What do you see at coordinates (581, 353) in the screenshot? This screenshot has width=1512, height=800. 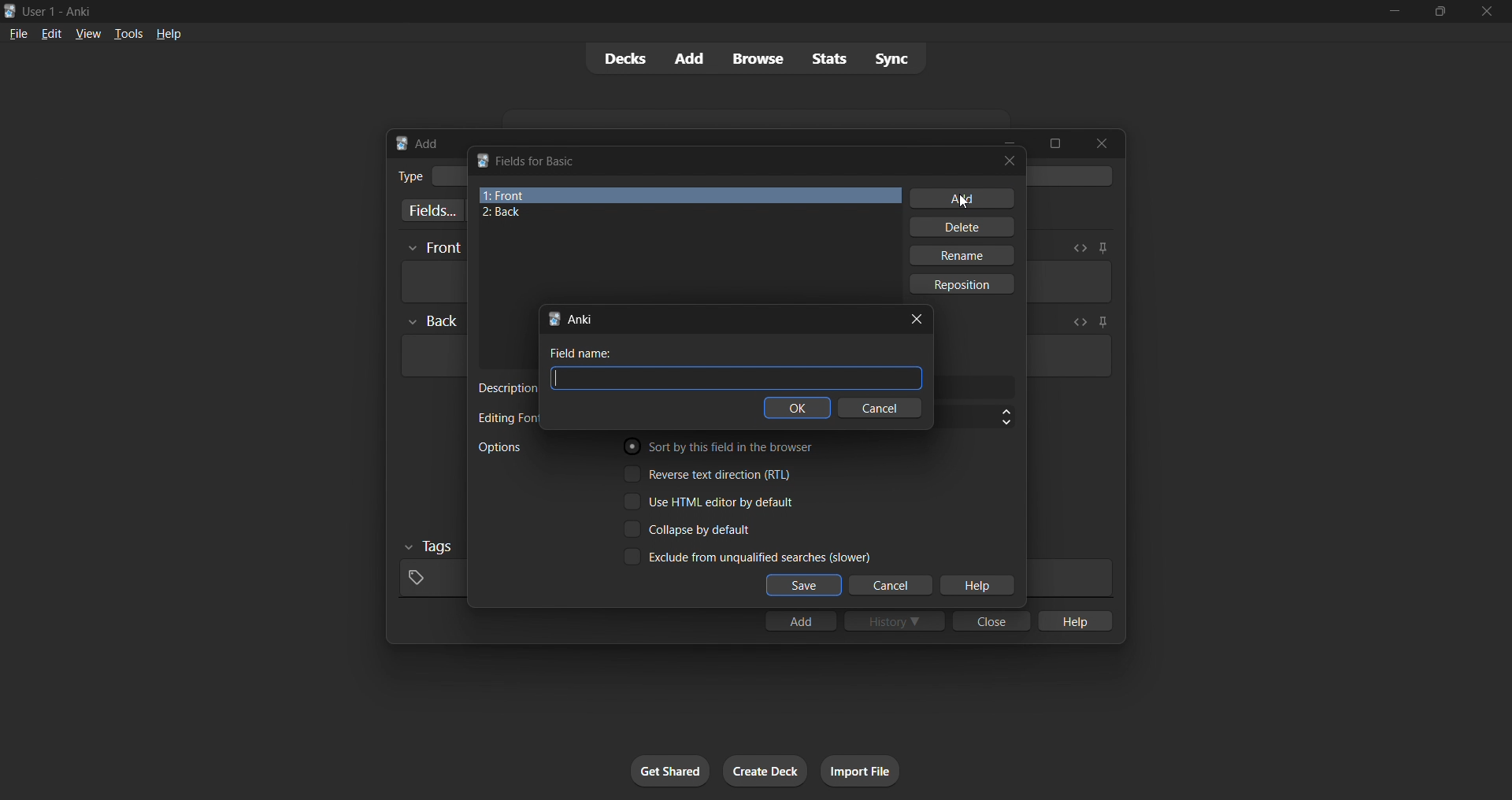 I see `Text` at bounding box center [581, 353].